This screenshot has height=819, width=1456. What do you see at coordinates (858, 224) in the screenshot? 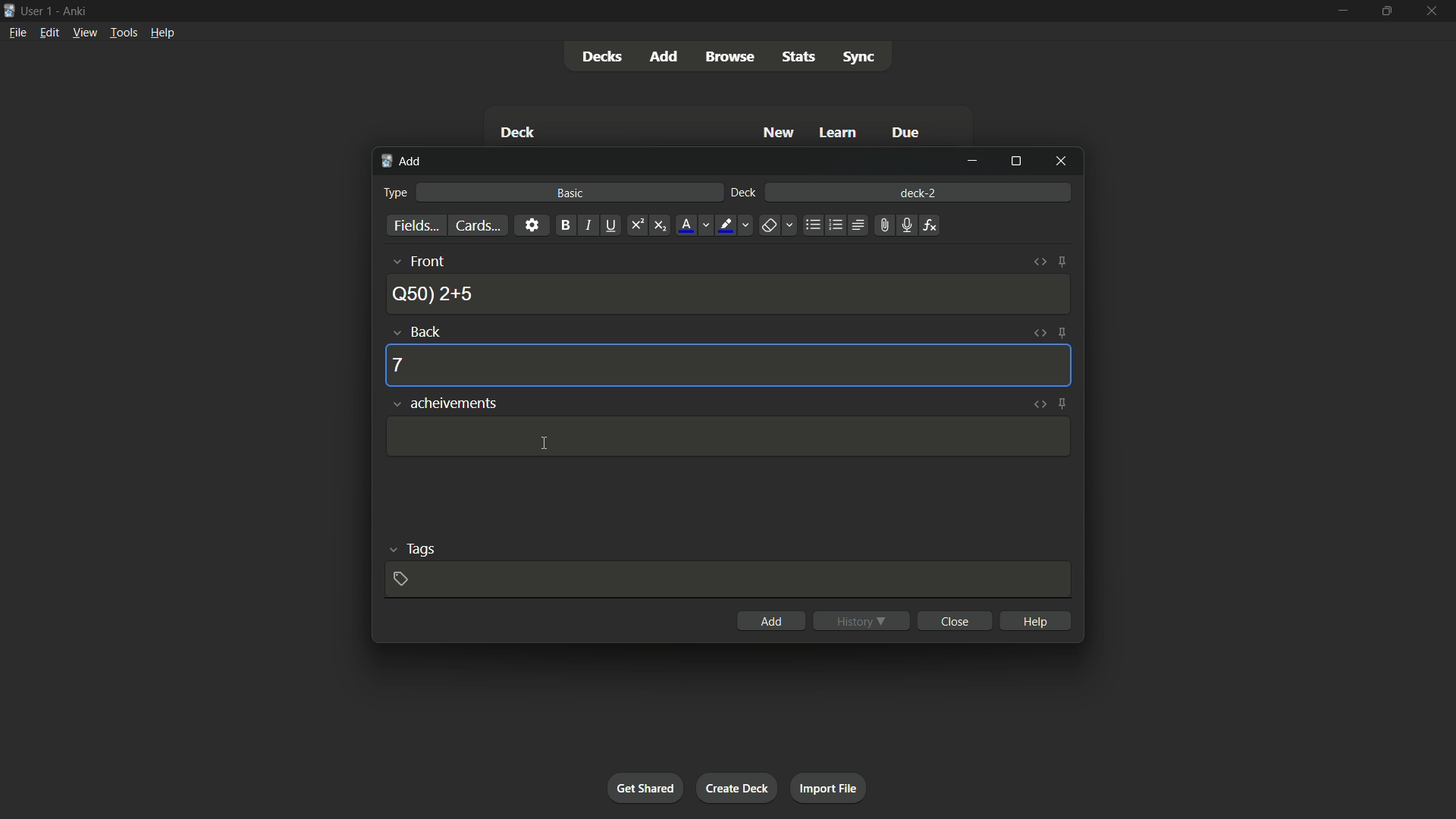
I see `alignment` at bounding box center [858, 224].